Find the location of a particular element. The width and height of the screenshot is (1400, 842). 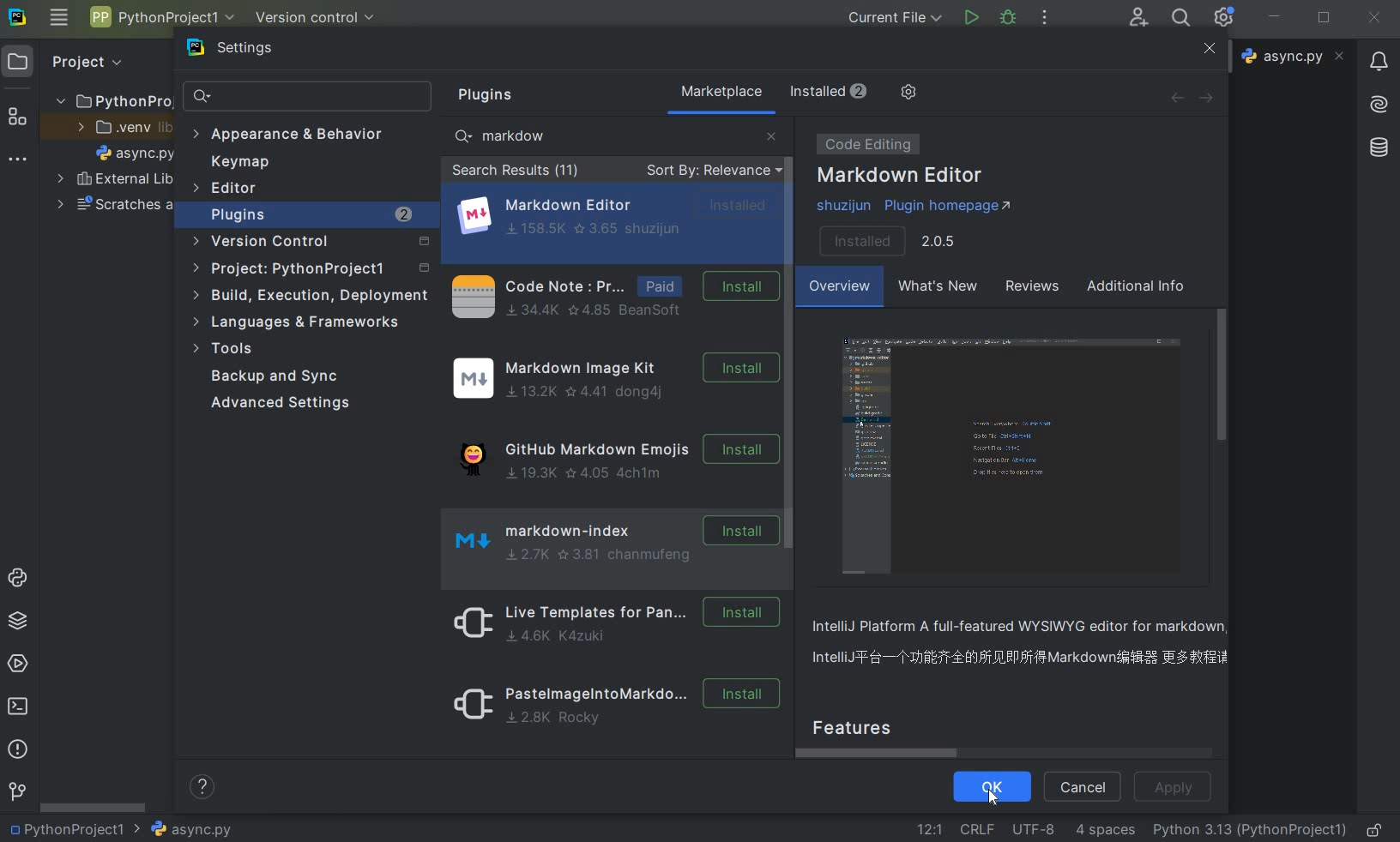

code note is located at coordinates (611, 295).